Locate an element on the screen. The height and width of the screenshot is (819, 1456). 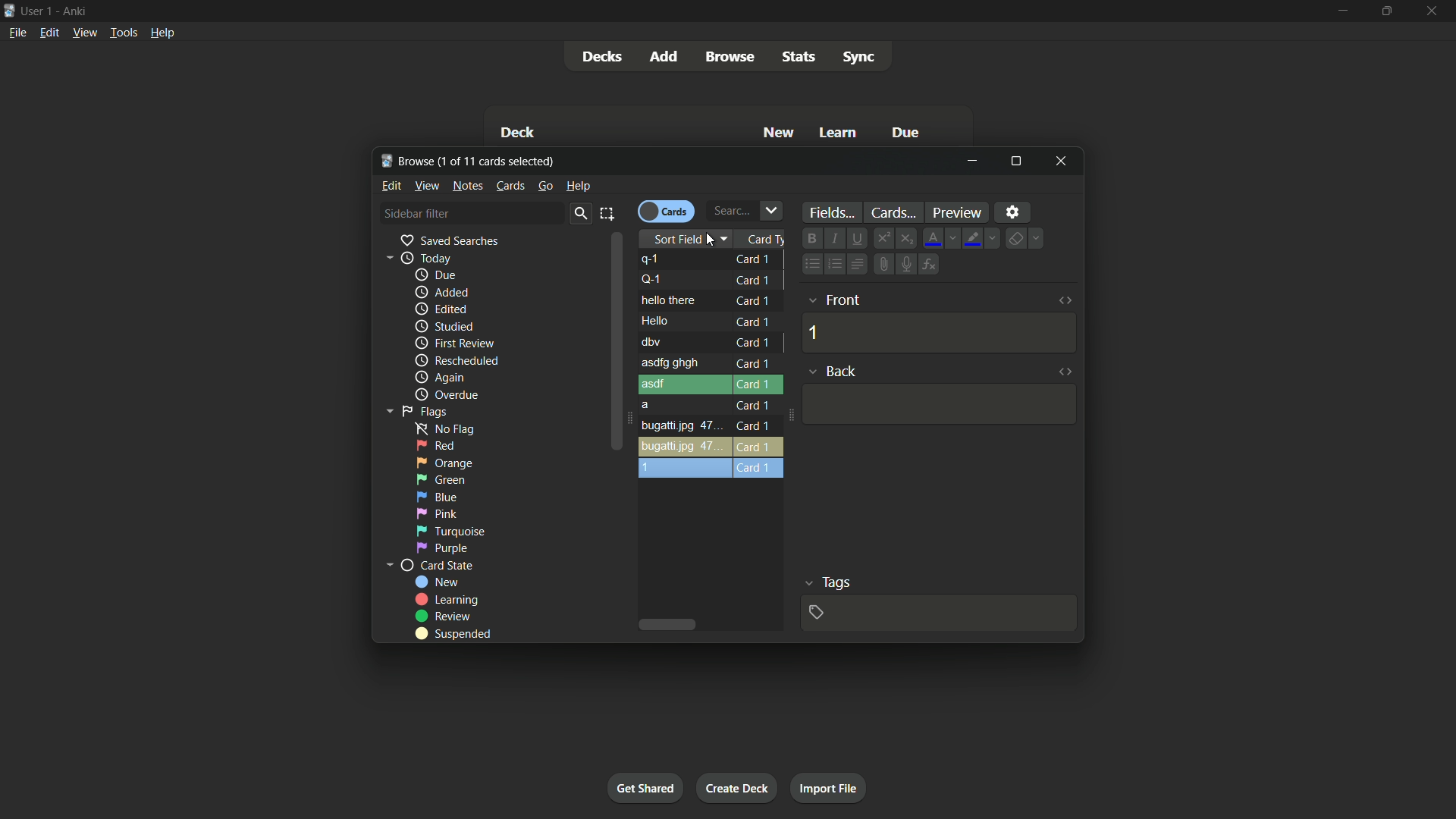
orange is located at coordinates (445, 462).